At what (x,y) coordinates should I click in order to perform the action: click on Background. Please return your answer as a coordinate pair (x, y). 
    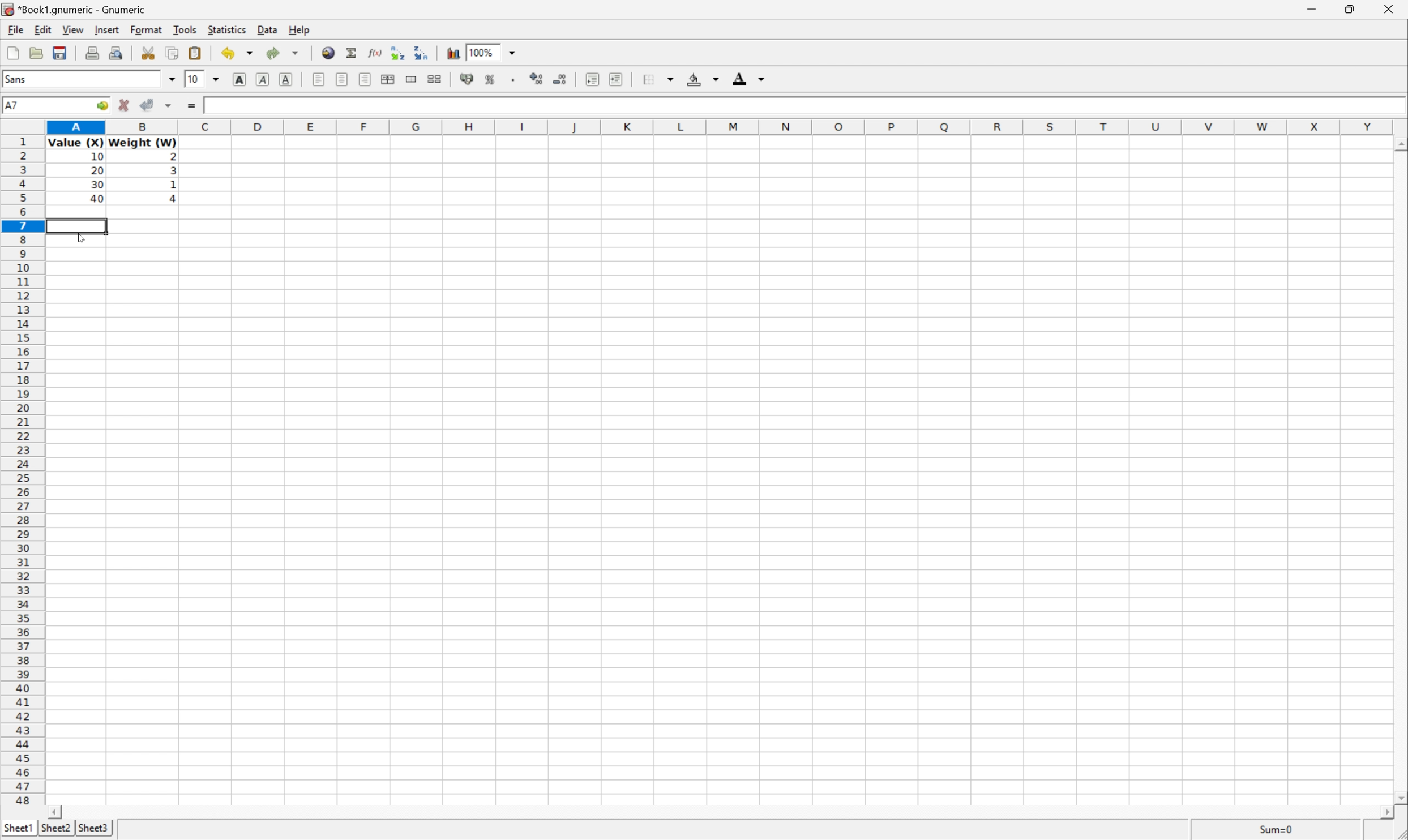
    Looking at the image, I should click on (703, 78).